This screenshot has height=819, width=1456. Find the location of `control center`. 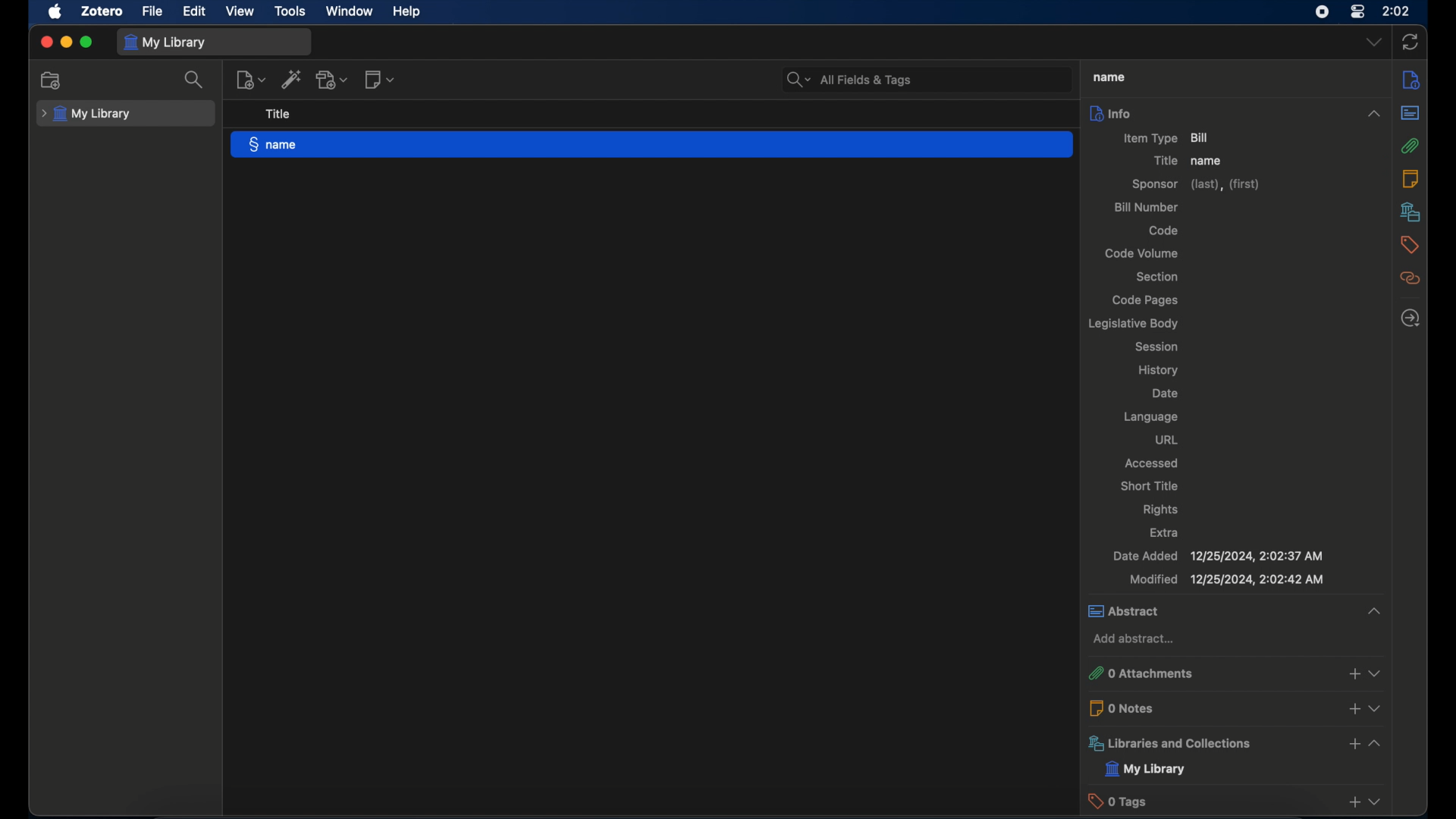

control center is located at coordinates (1359, 11).